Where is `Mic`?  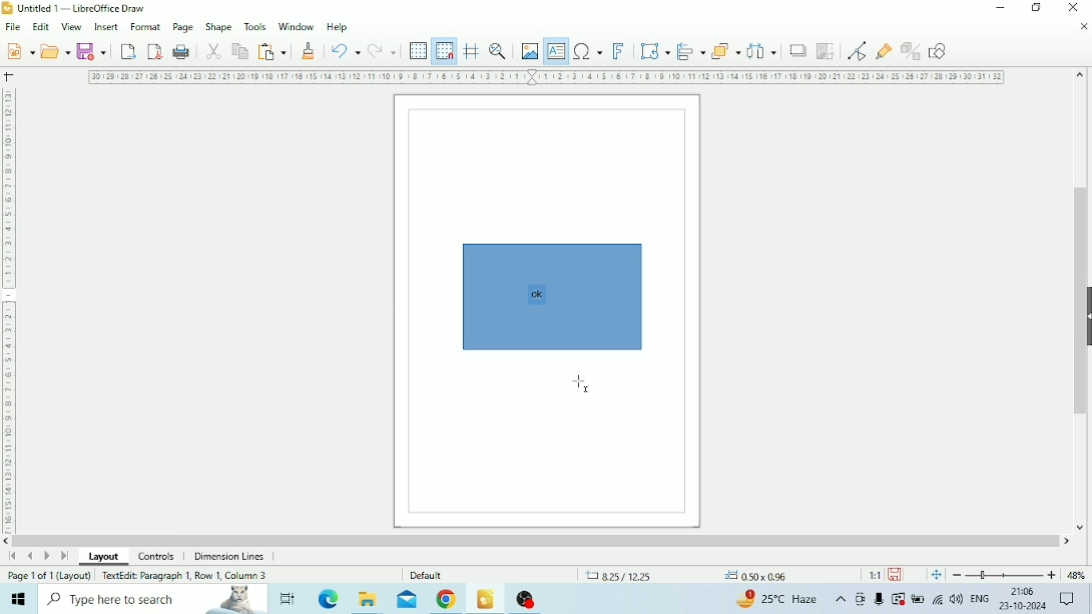
Mic is located at coordinates (879, 600).